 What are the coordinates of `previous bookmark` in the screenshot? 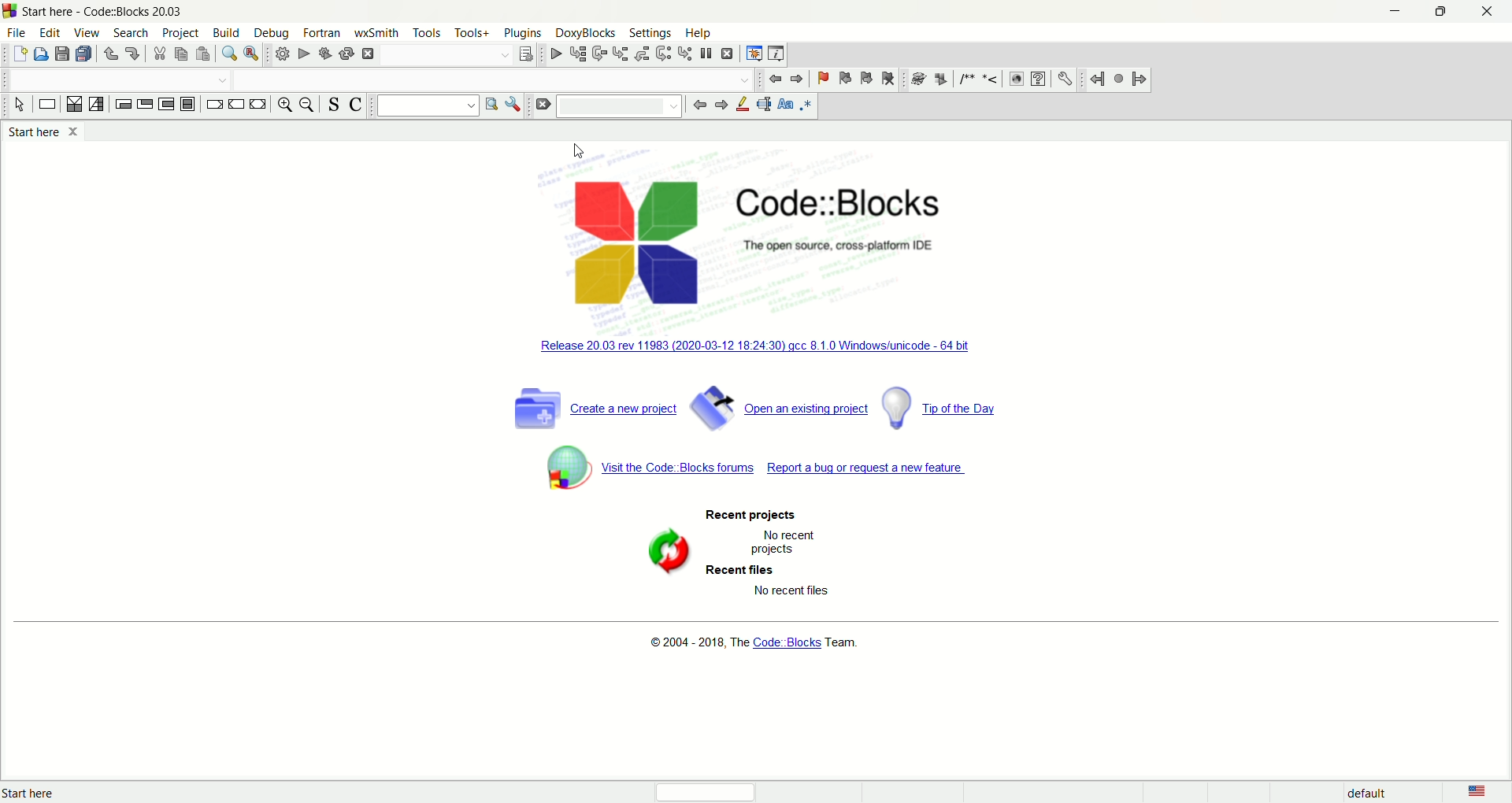 It's located at (847, 77).